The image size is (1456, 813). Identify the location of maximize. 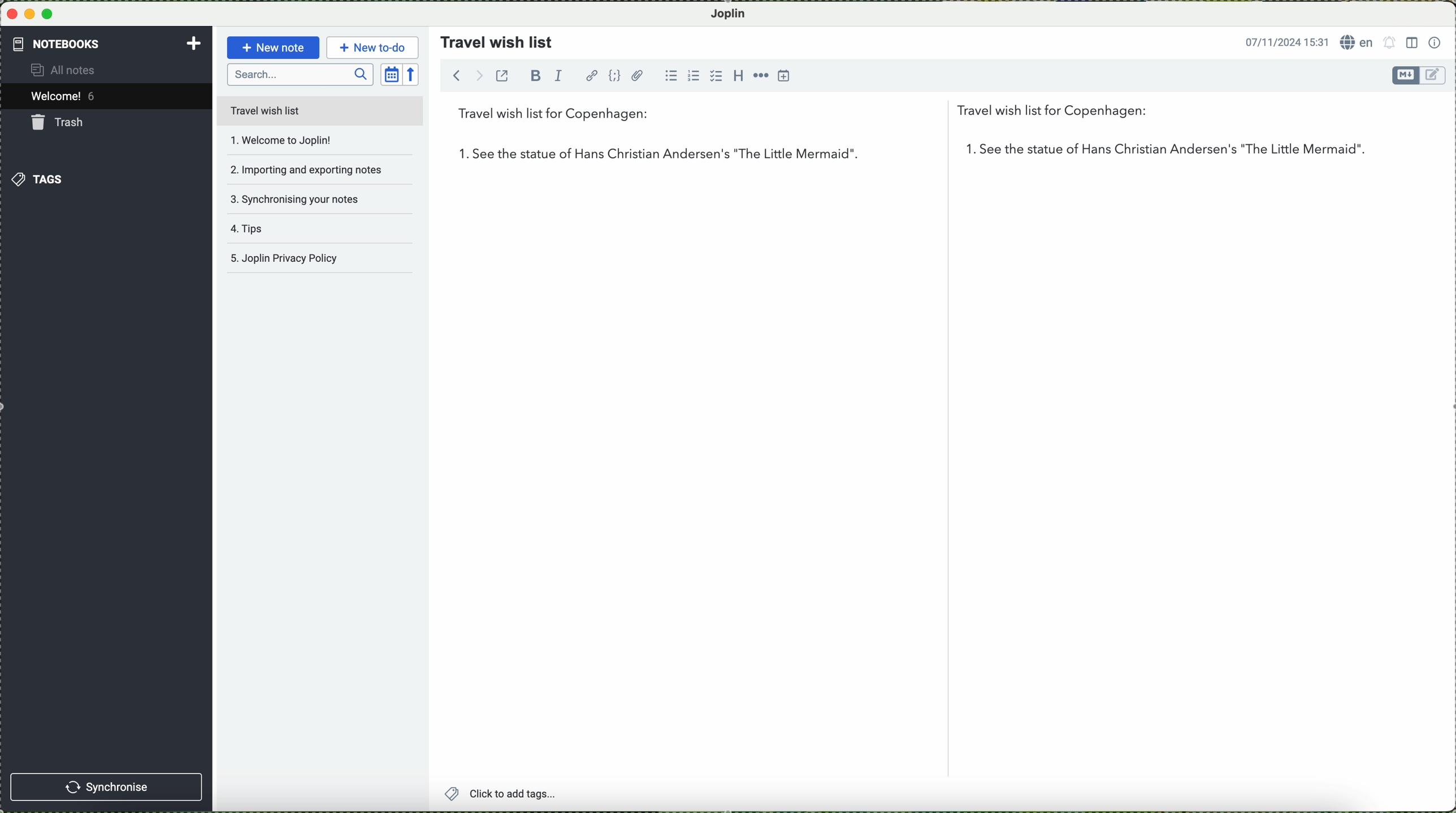
(50, 14).